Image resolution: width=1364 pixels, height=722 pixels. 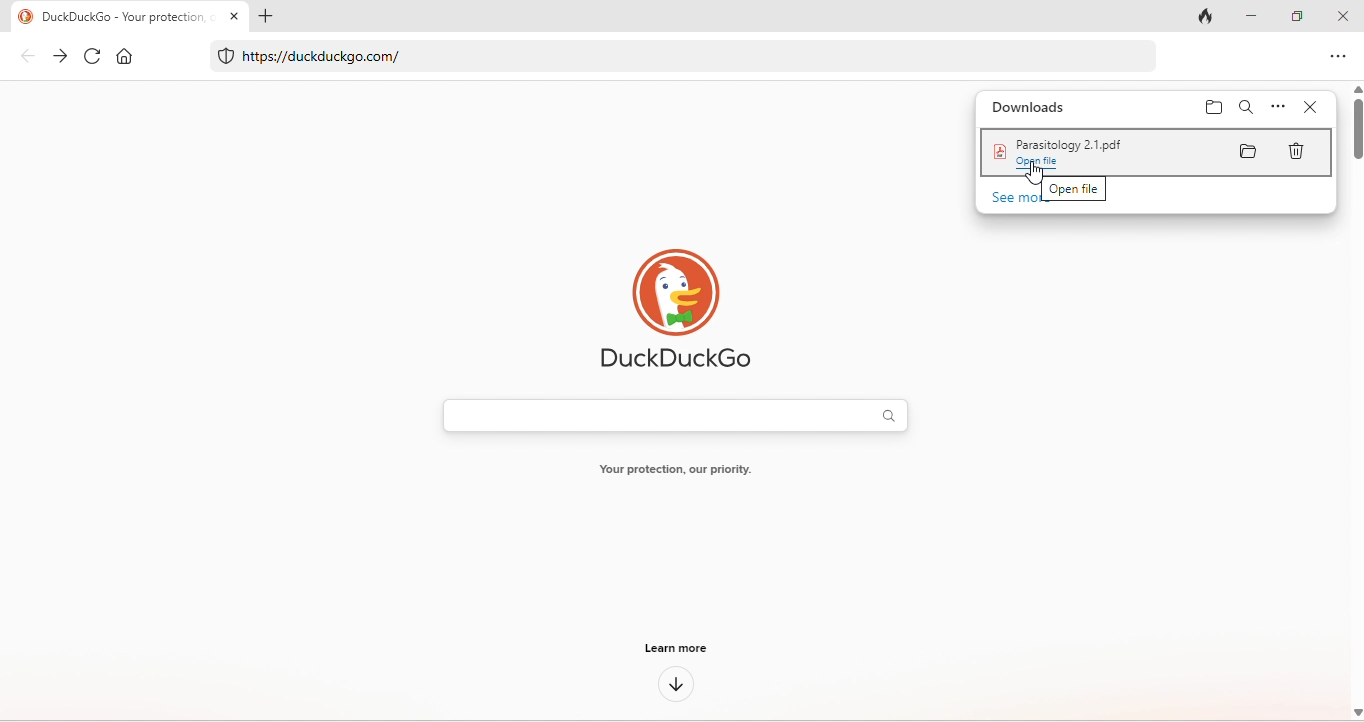 I want to click on Your protection our priority, so click(x=682, y=470).